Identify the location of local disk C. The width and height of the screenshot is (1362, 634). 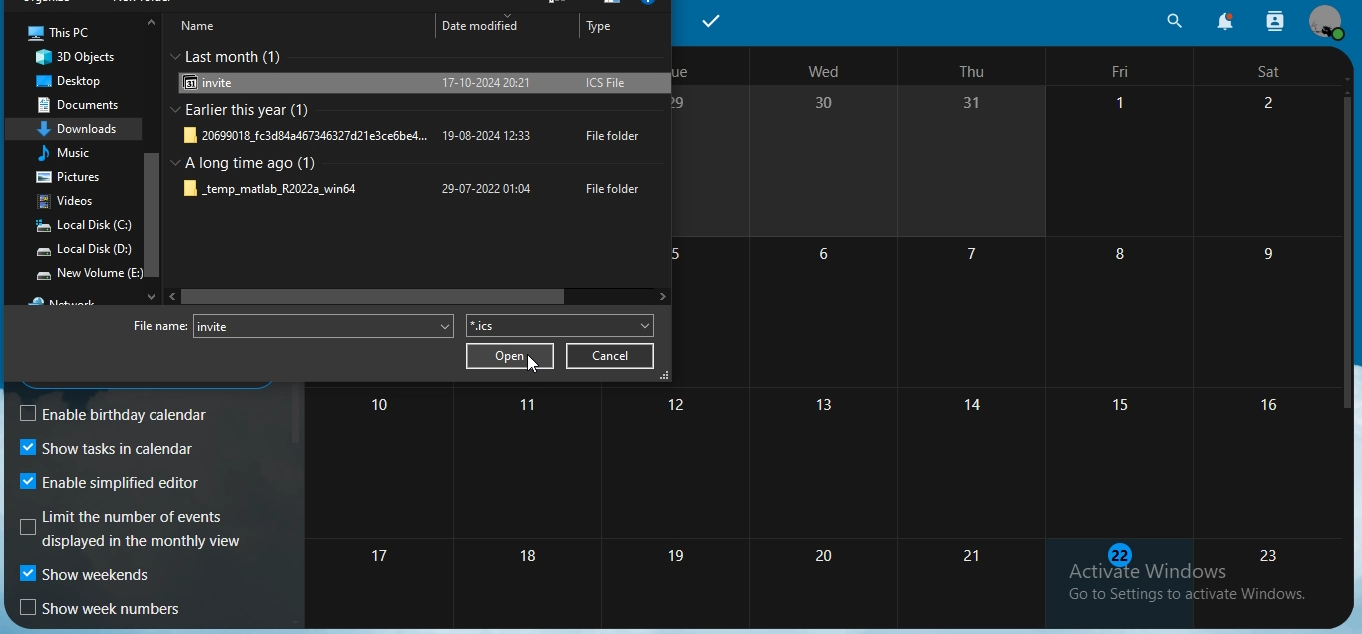
(83, 227).